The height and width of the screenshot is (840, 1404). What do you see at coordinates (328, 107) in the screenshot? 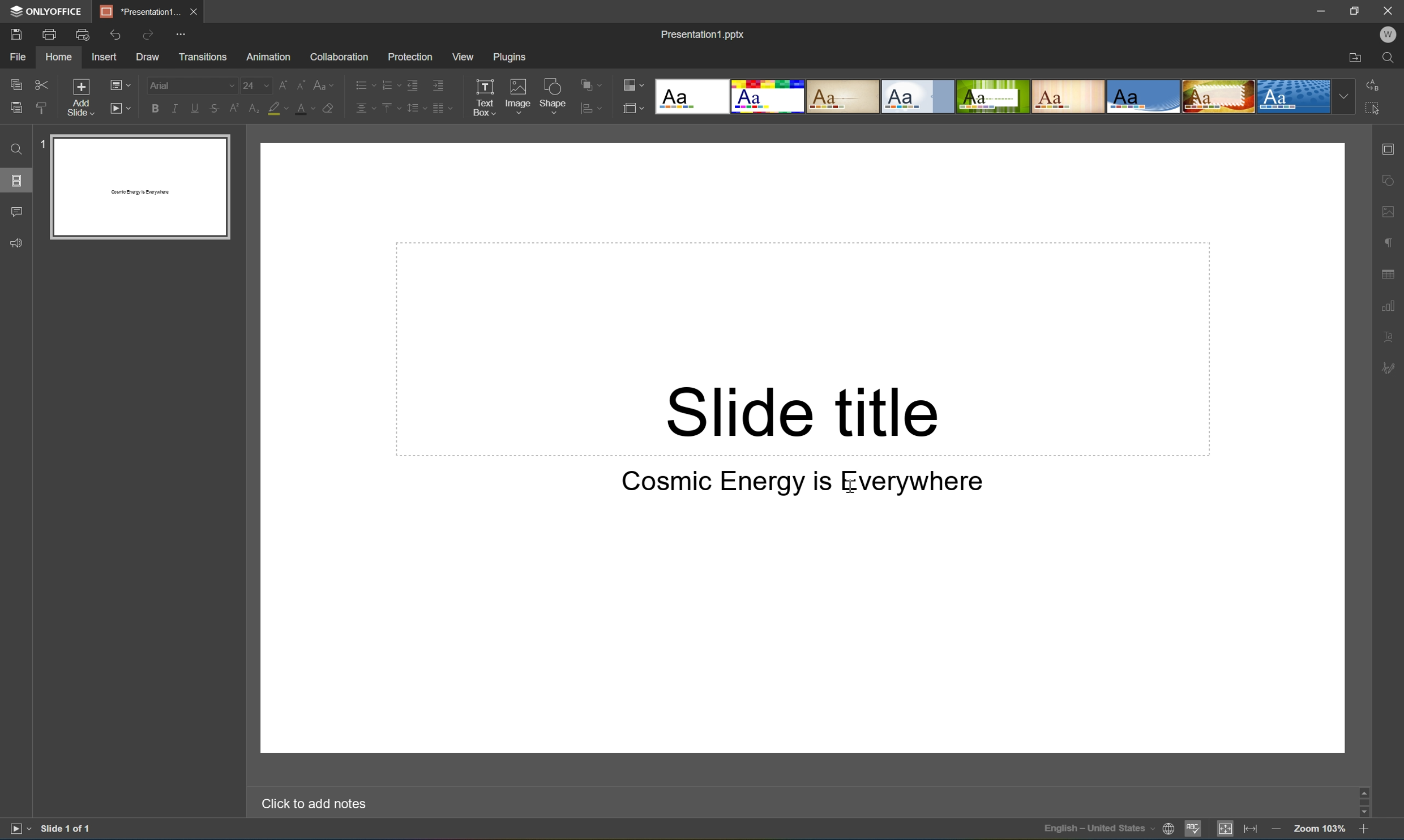
I see `Clear style` at bounding box center [328, 107].